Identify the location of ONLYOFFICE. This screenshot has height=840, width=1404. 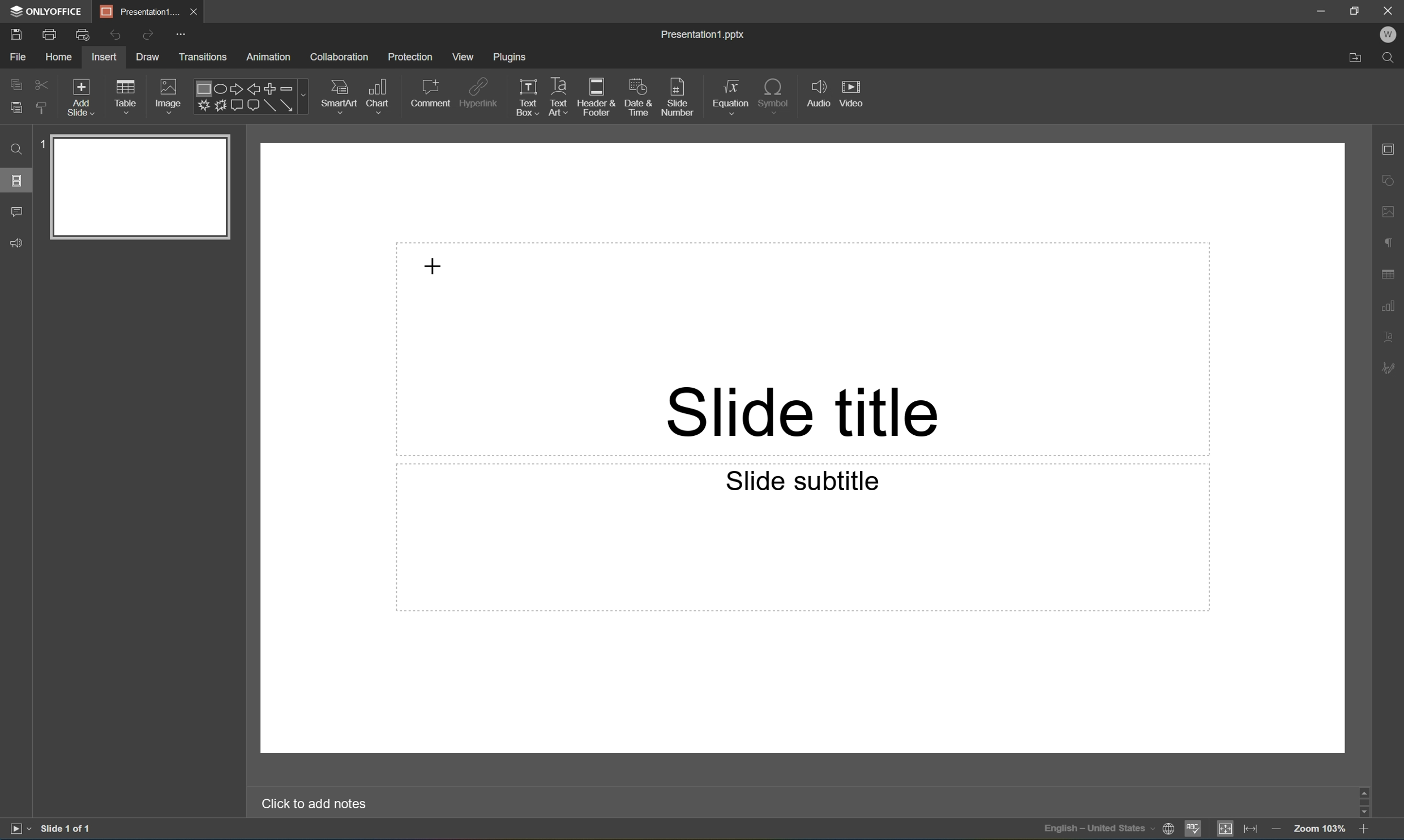
(48, 11).